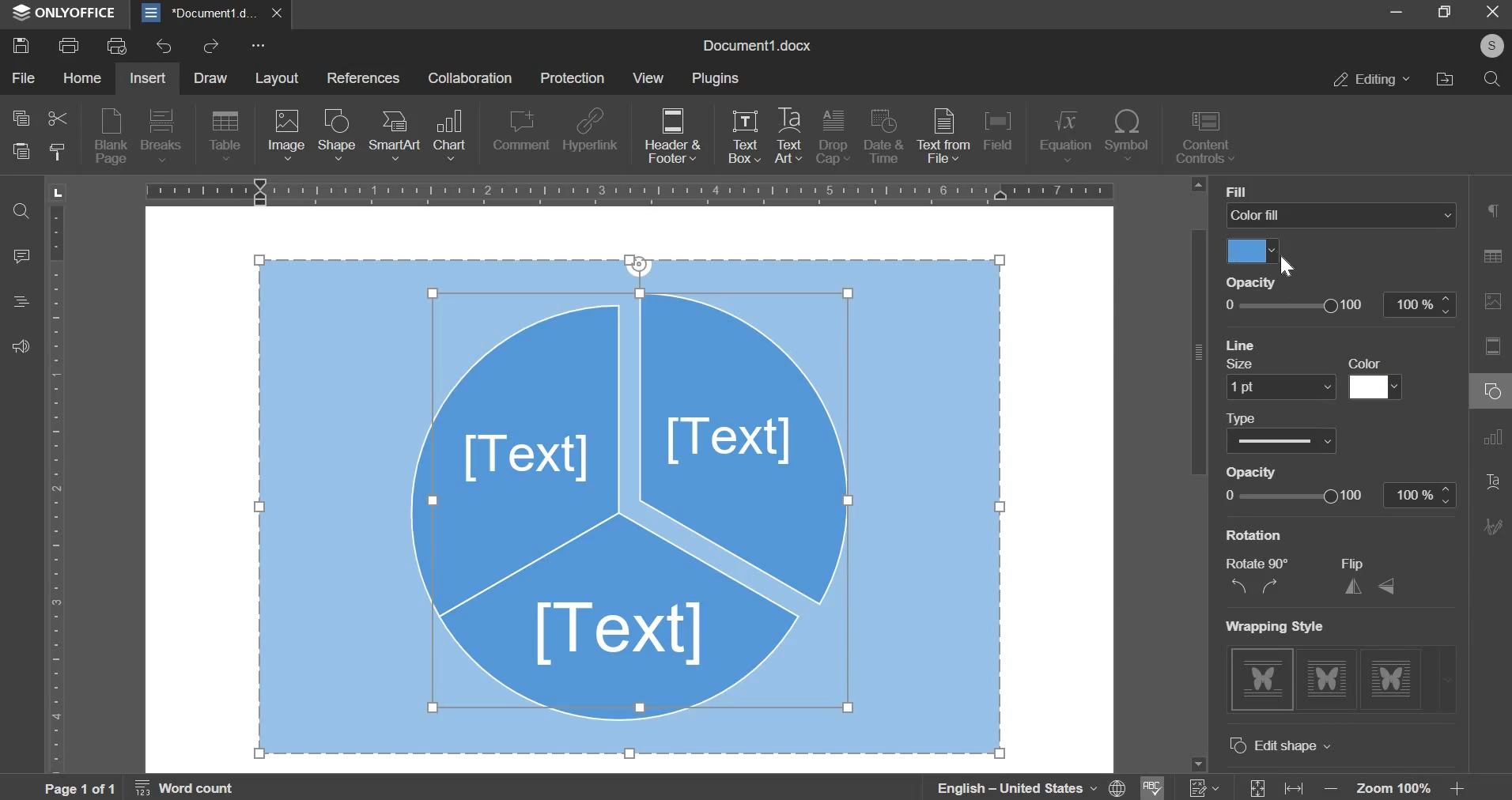 This screenshot has height=800, width=1512. What do you see at coordinates (833, 139) in the screenshot?
I see `drop cap` at bounding box center [833, 139].